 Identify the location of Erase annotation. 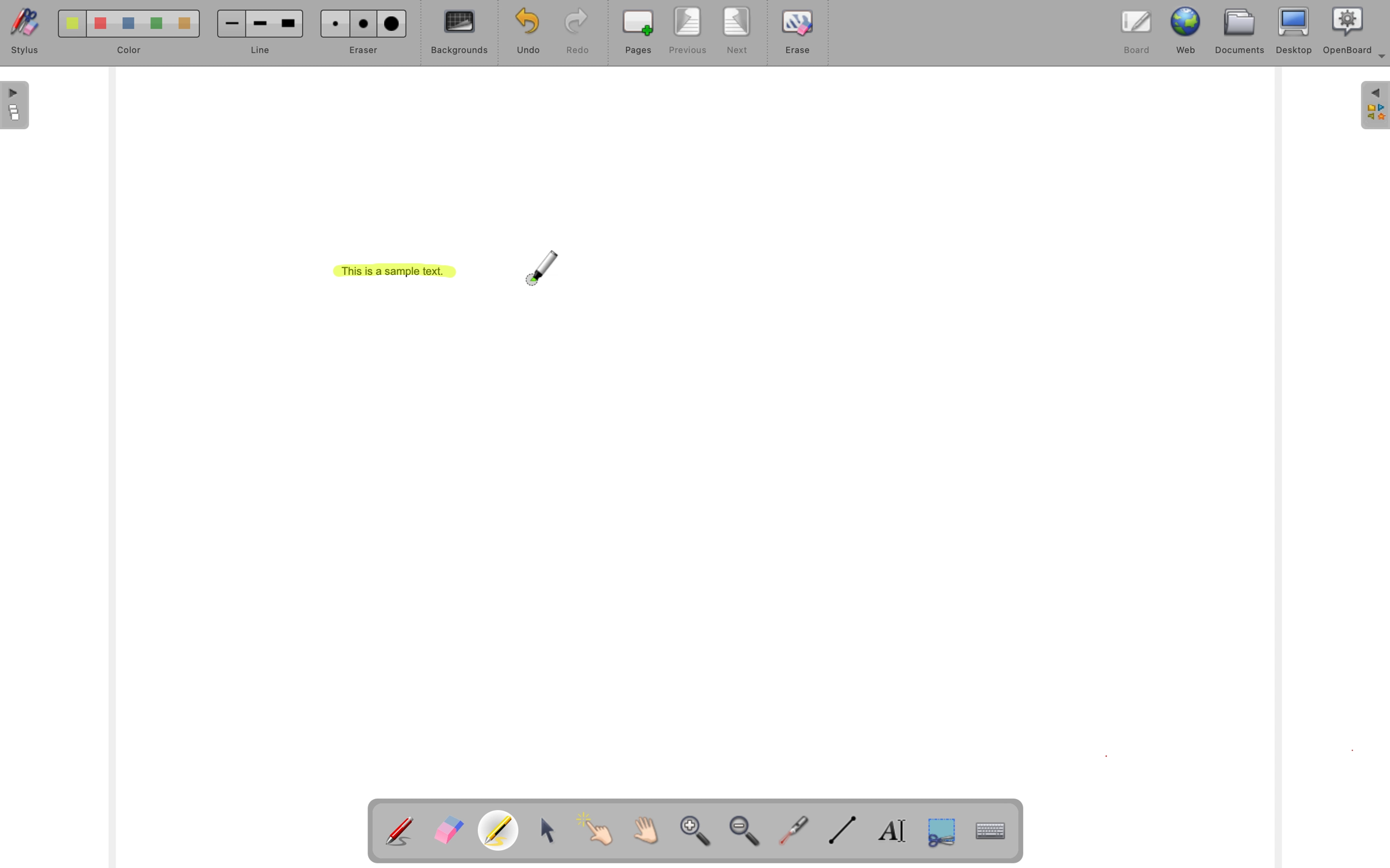
(451, 827).